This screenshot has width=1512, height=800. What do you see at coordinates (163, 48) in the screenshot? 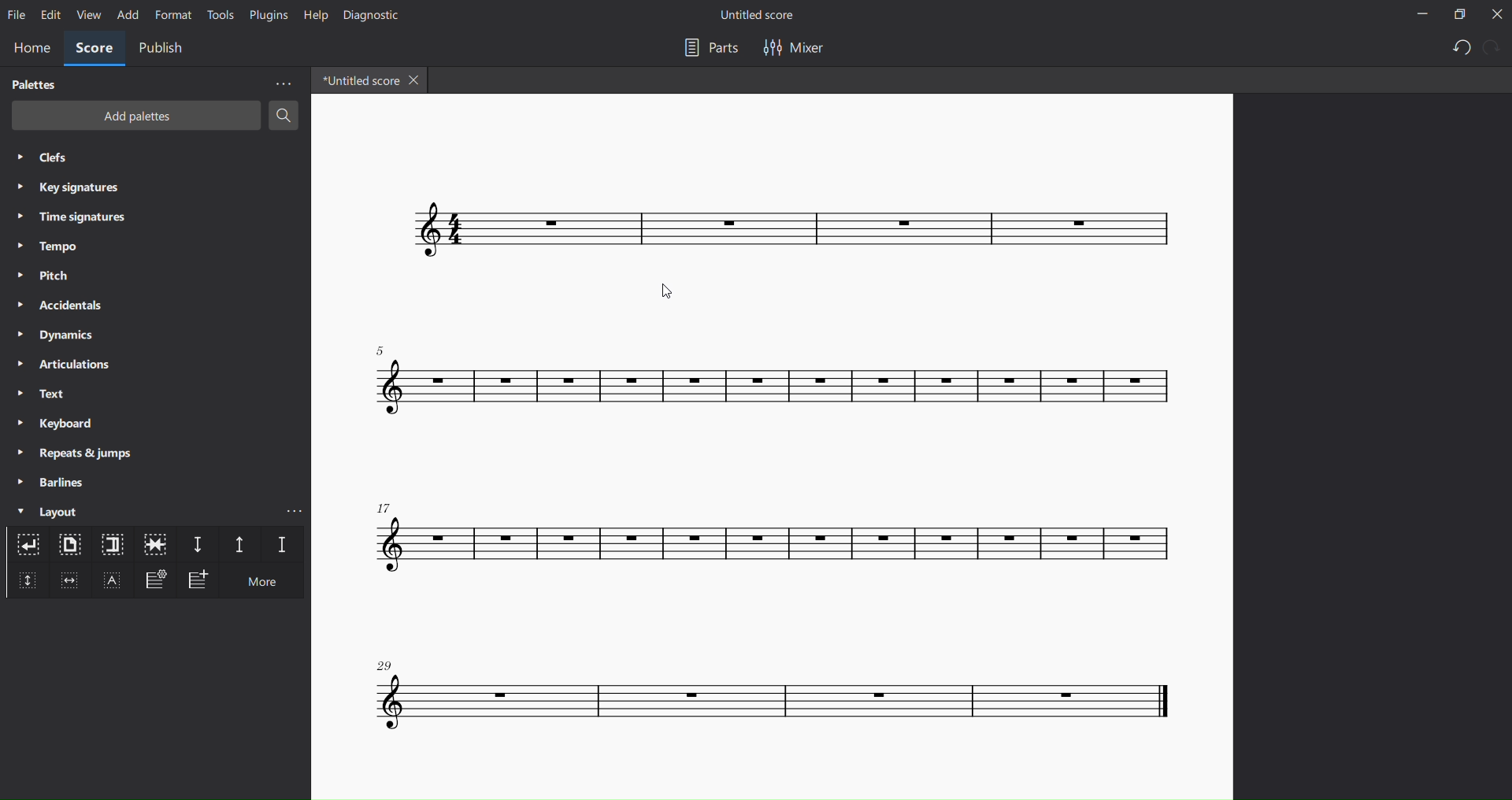
I see `publish` at bounding box center [163, 48].